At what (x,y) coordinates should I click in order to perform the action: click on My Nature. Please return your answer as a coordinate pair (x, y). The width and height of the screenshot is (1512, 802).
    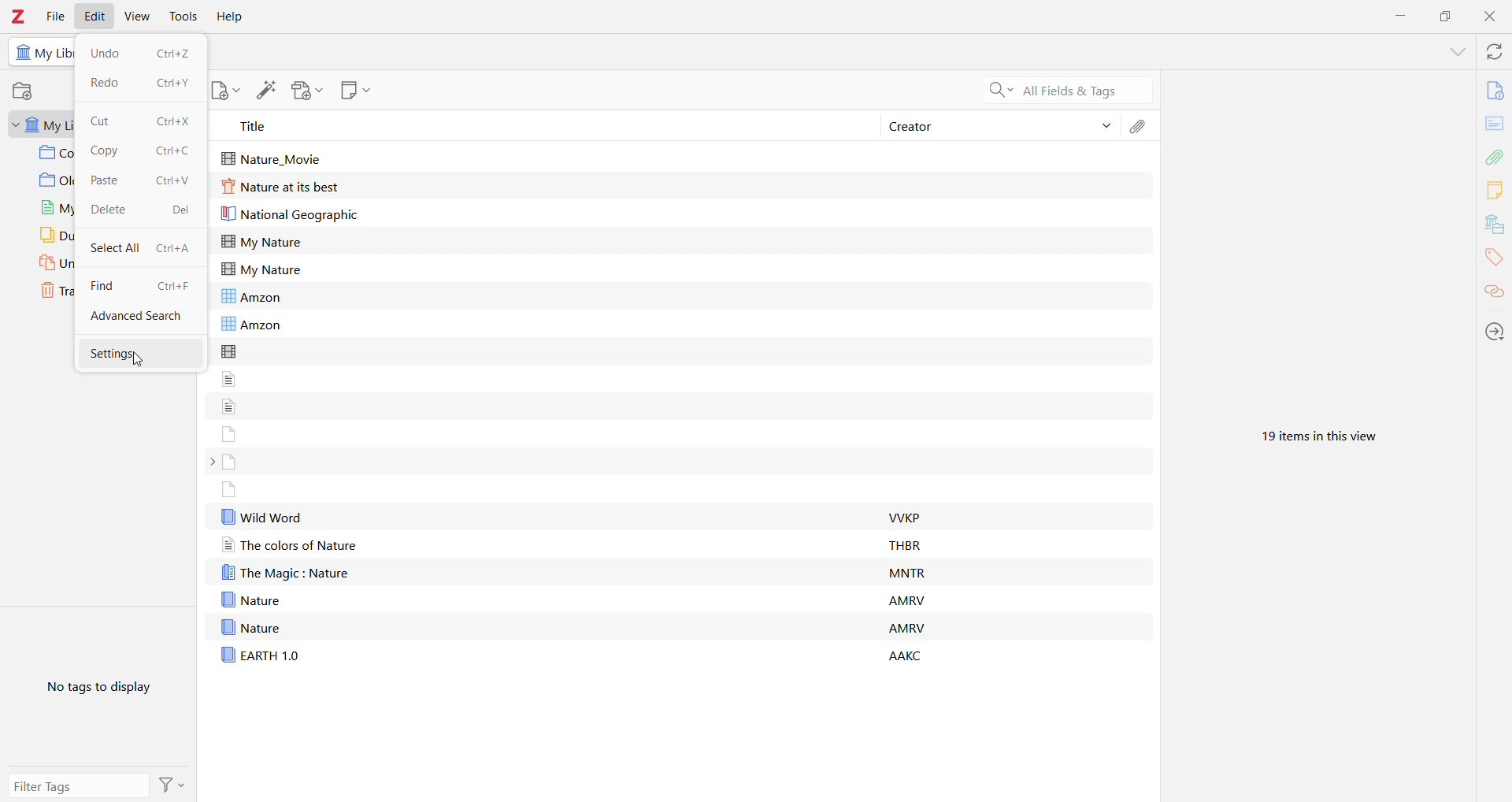
    Looking at the image, I should click on (261, 269).